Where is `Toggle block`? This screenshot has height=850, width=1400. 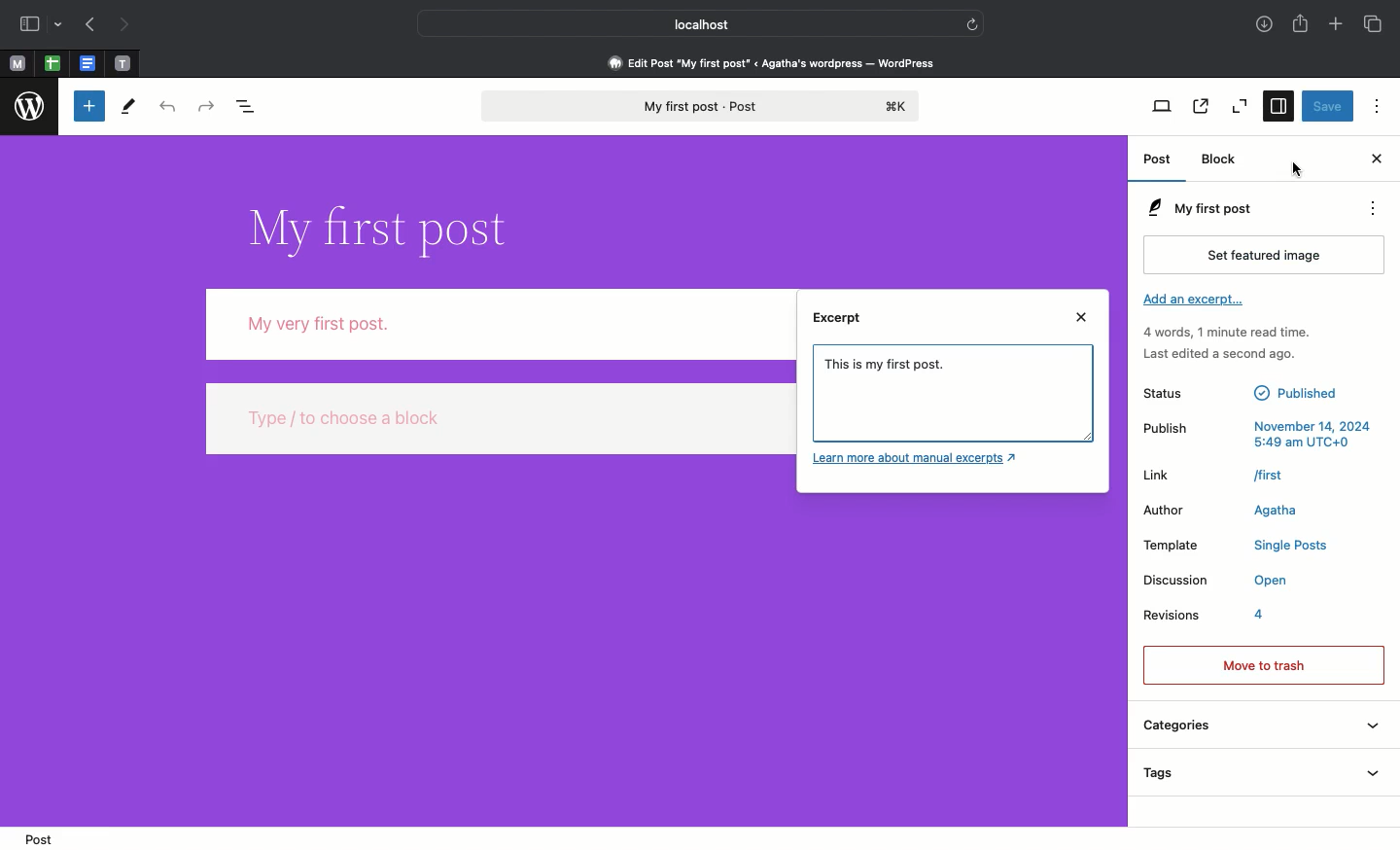 Toggle block is located at coordinates (87, 107).